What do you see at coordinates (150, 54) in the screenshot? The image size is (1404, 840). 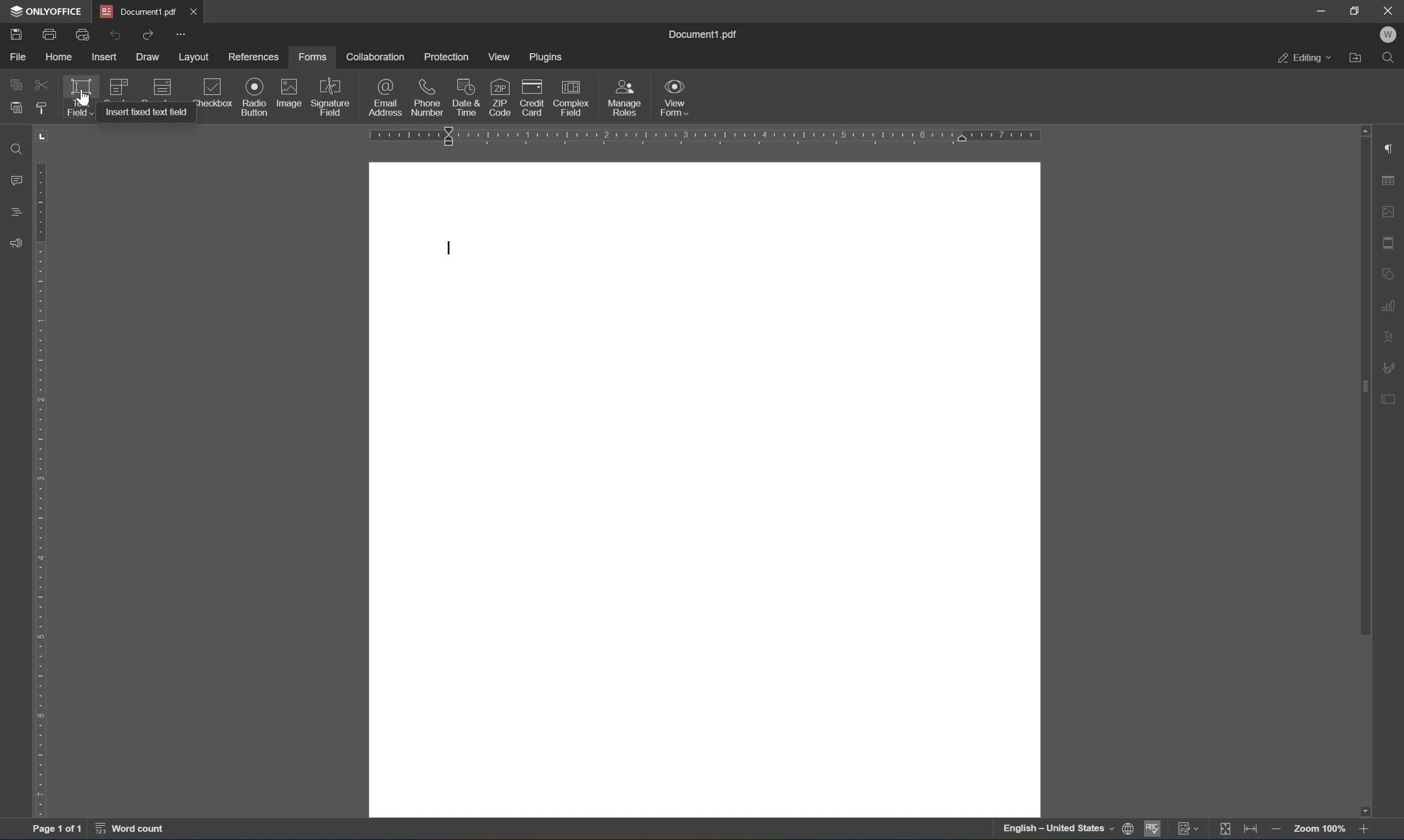 I see `draw` at bounding box center [150, 54].